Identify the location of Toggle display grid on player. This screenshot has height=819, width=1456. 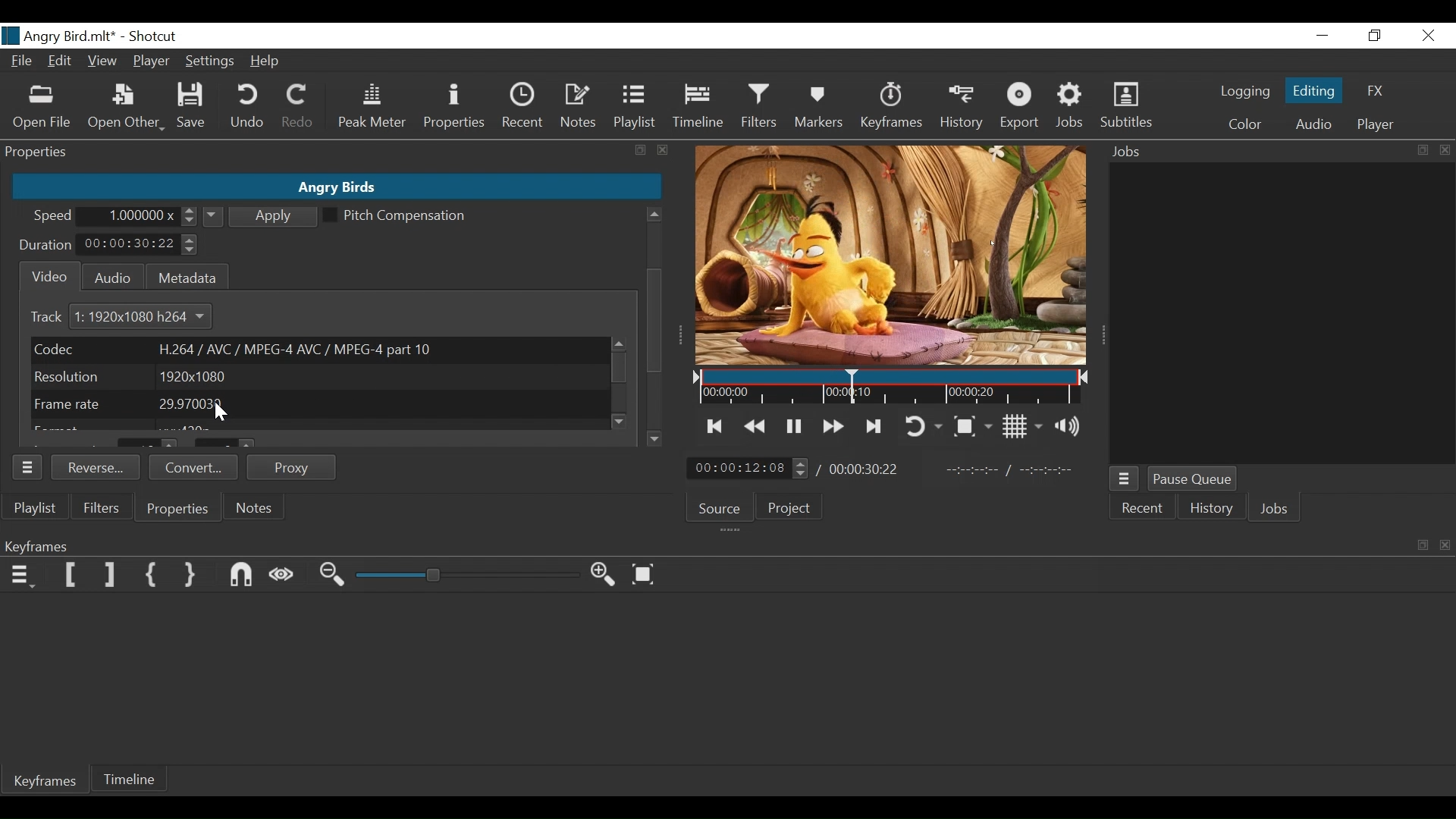
(1021, 427).